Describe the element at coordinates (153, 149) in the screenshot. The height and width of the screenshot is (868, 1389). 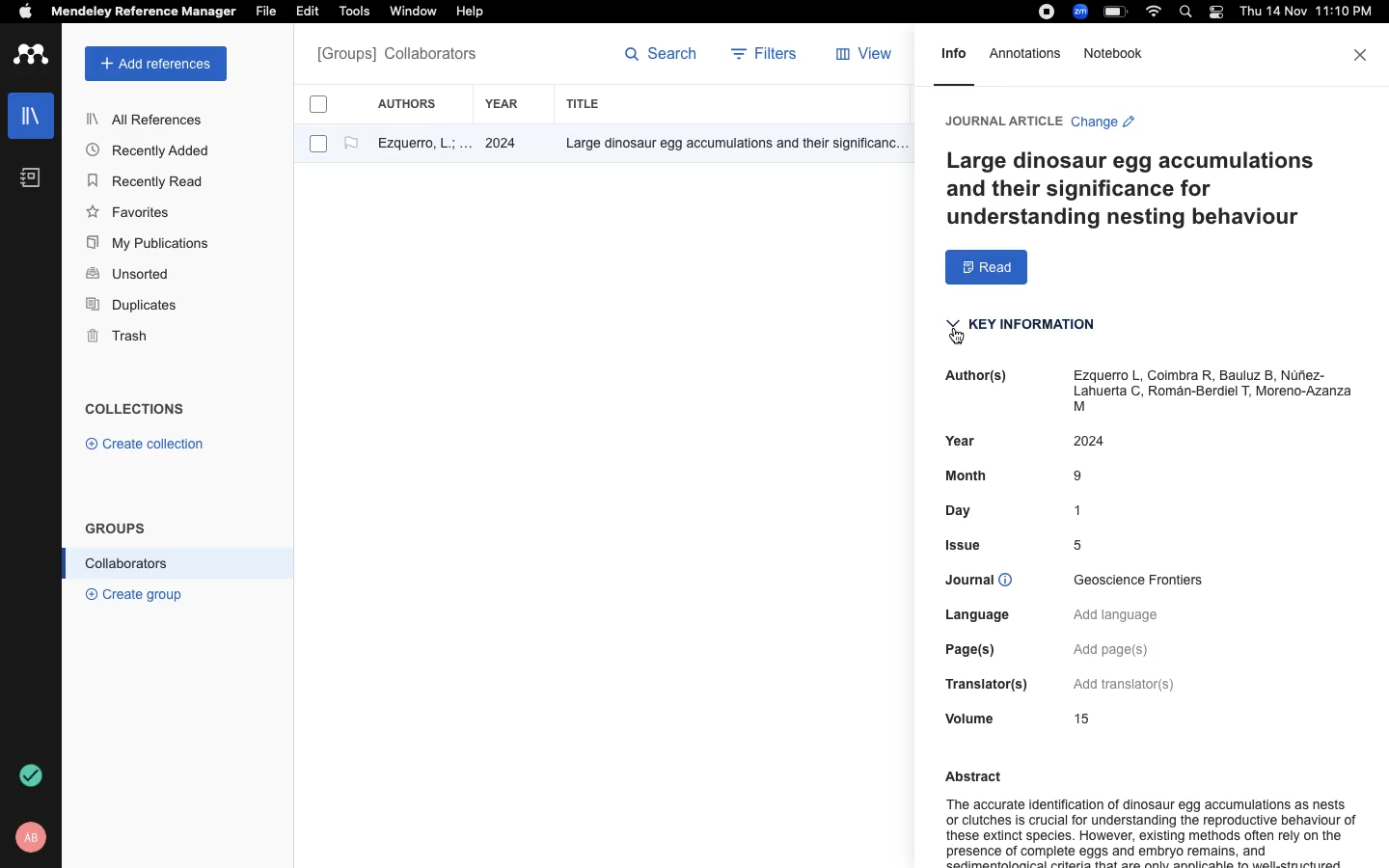
I see `Recently Added` at that location.